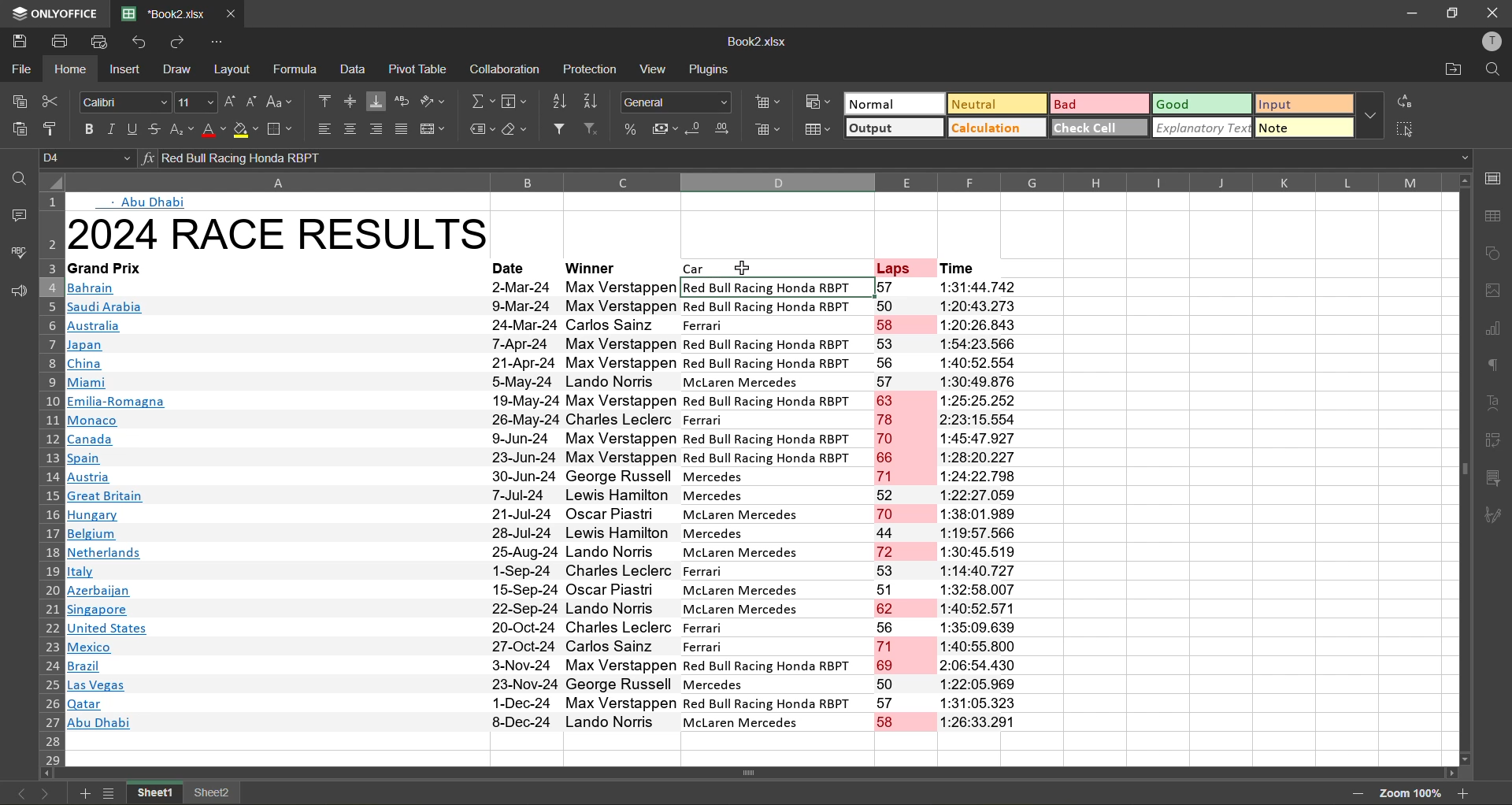 The height and width of the screenshot is (805, 1512). Describe the element at coordinates (888, 129) in the screenshot. I see `output` at that location.